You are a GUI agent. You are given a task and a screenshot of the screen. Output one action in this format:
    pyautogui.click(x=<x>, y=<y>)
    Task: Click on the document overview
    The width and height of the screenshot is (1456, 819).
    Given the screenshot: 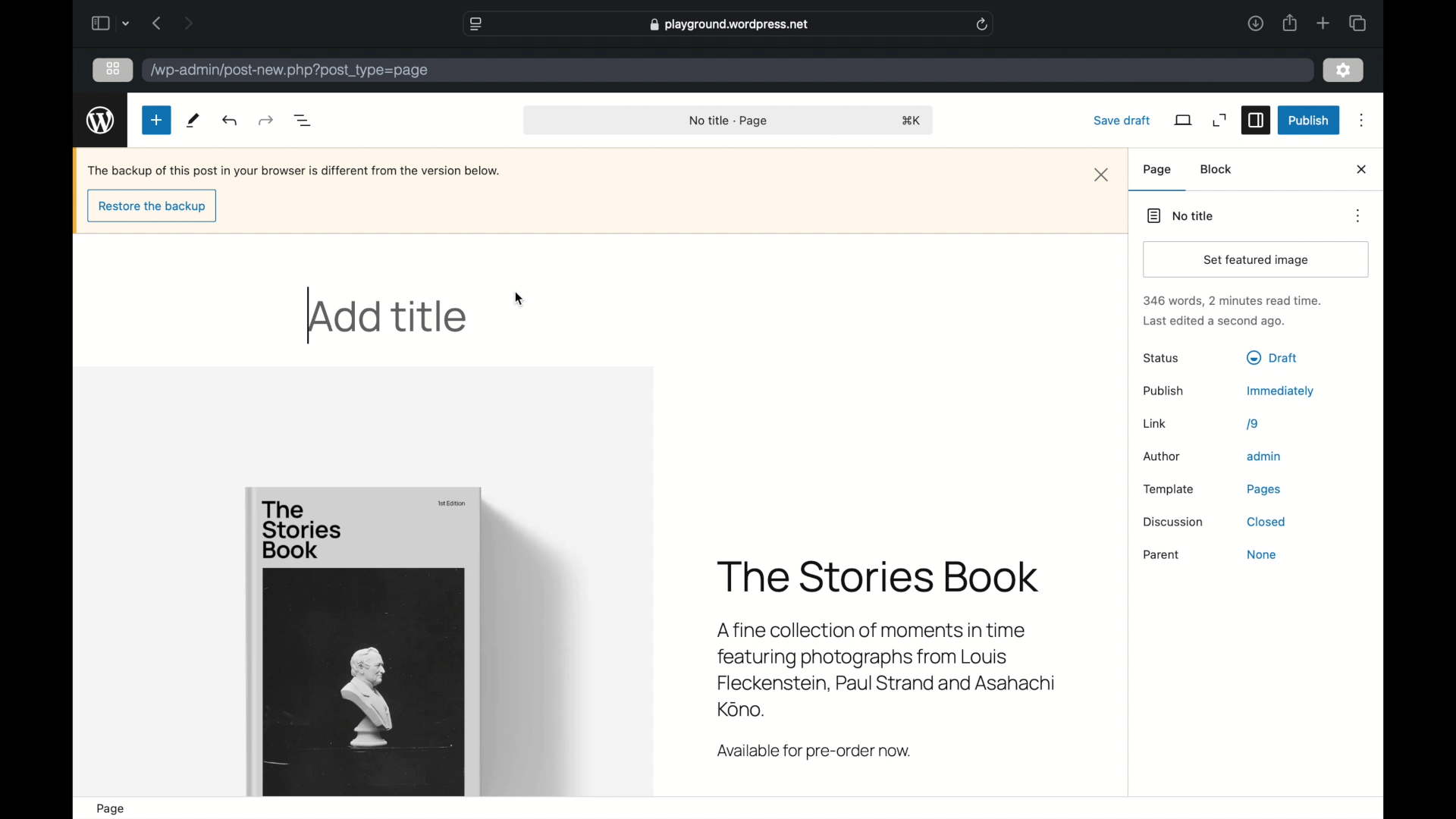 What is the action you would take?
    pyautogui.click(x=304, y=121)
    